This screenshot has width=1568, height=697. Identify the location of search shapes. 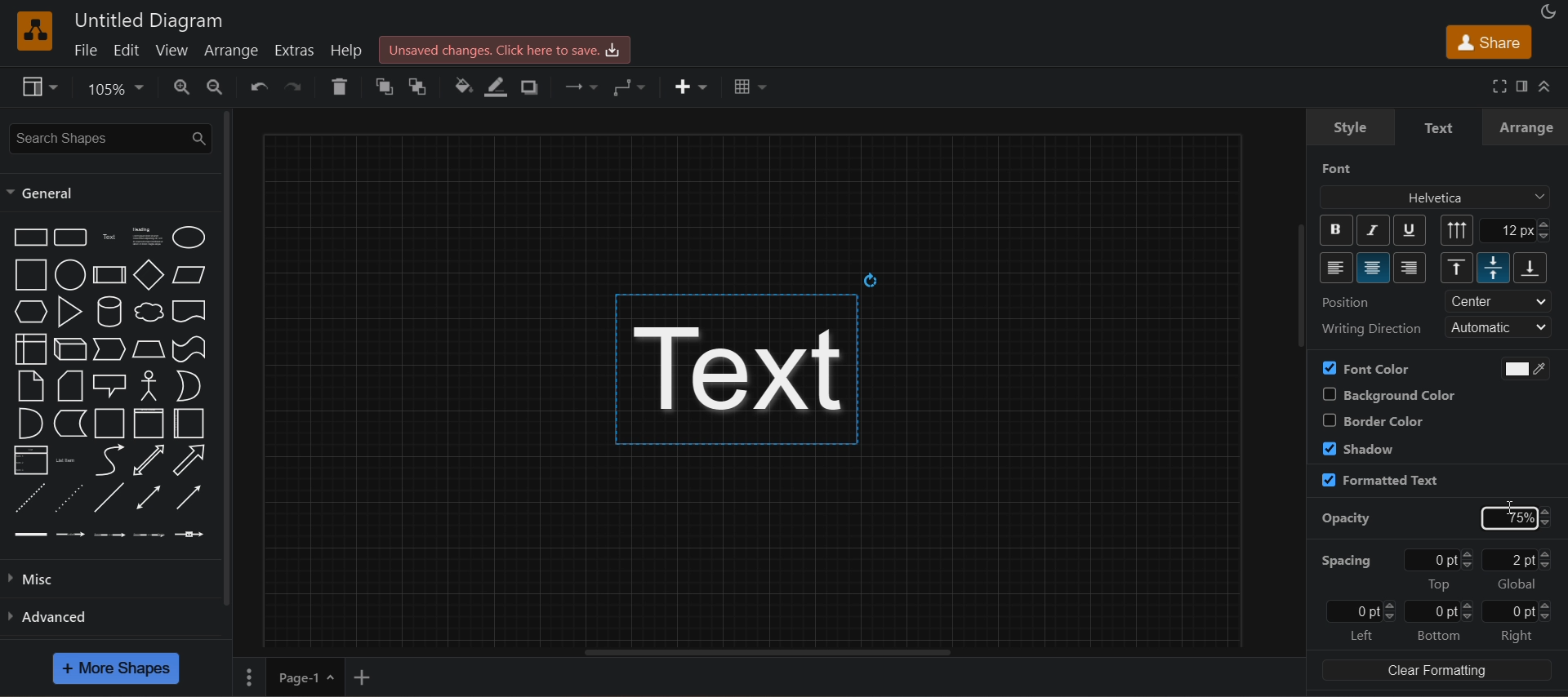
(108, 139).